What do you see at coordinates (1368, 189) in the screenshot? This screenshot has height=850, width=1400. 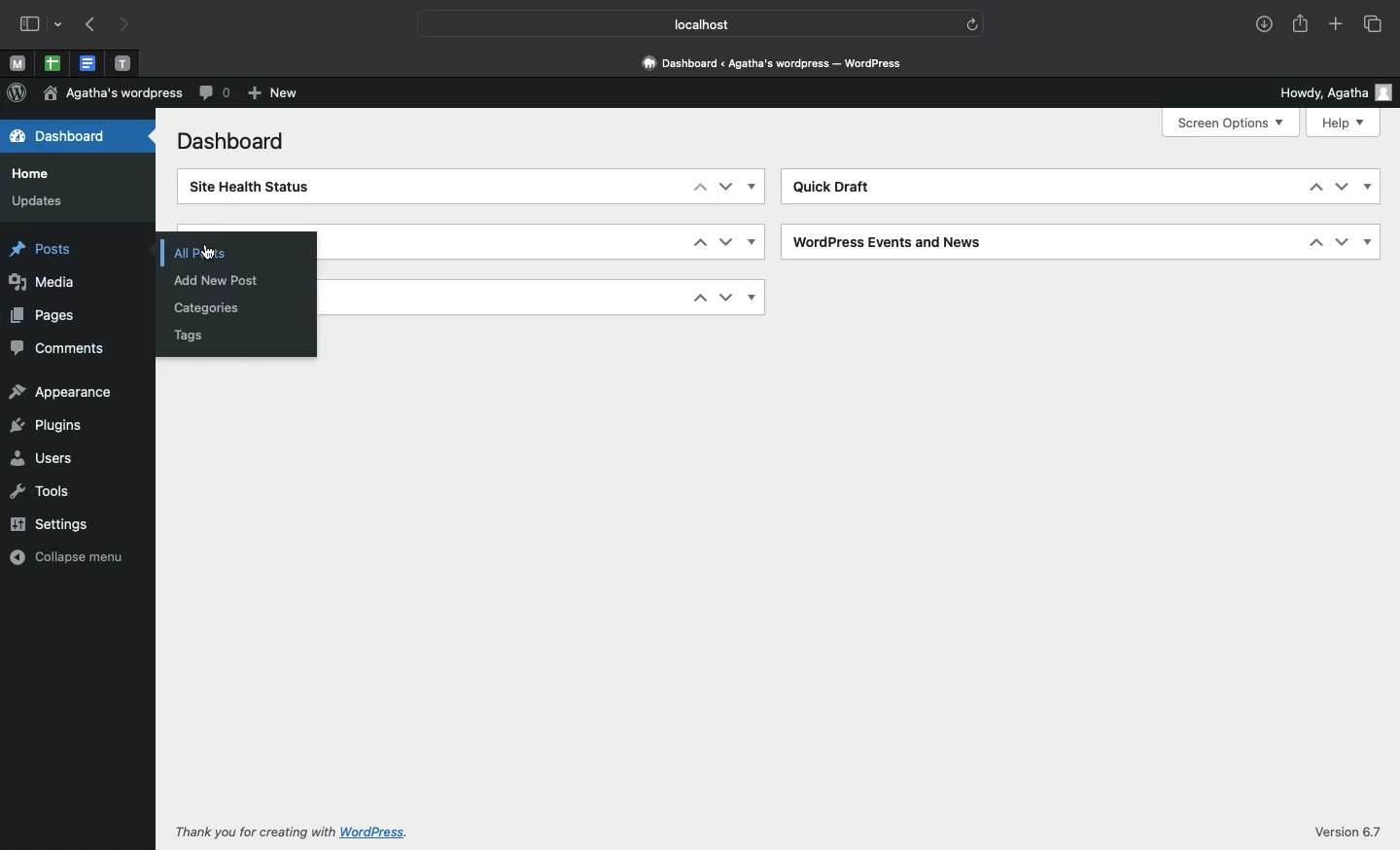 I see `Show` at bounding box center [1368, 189].